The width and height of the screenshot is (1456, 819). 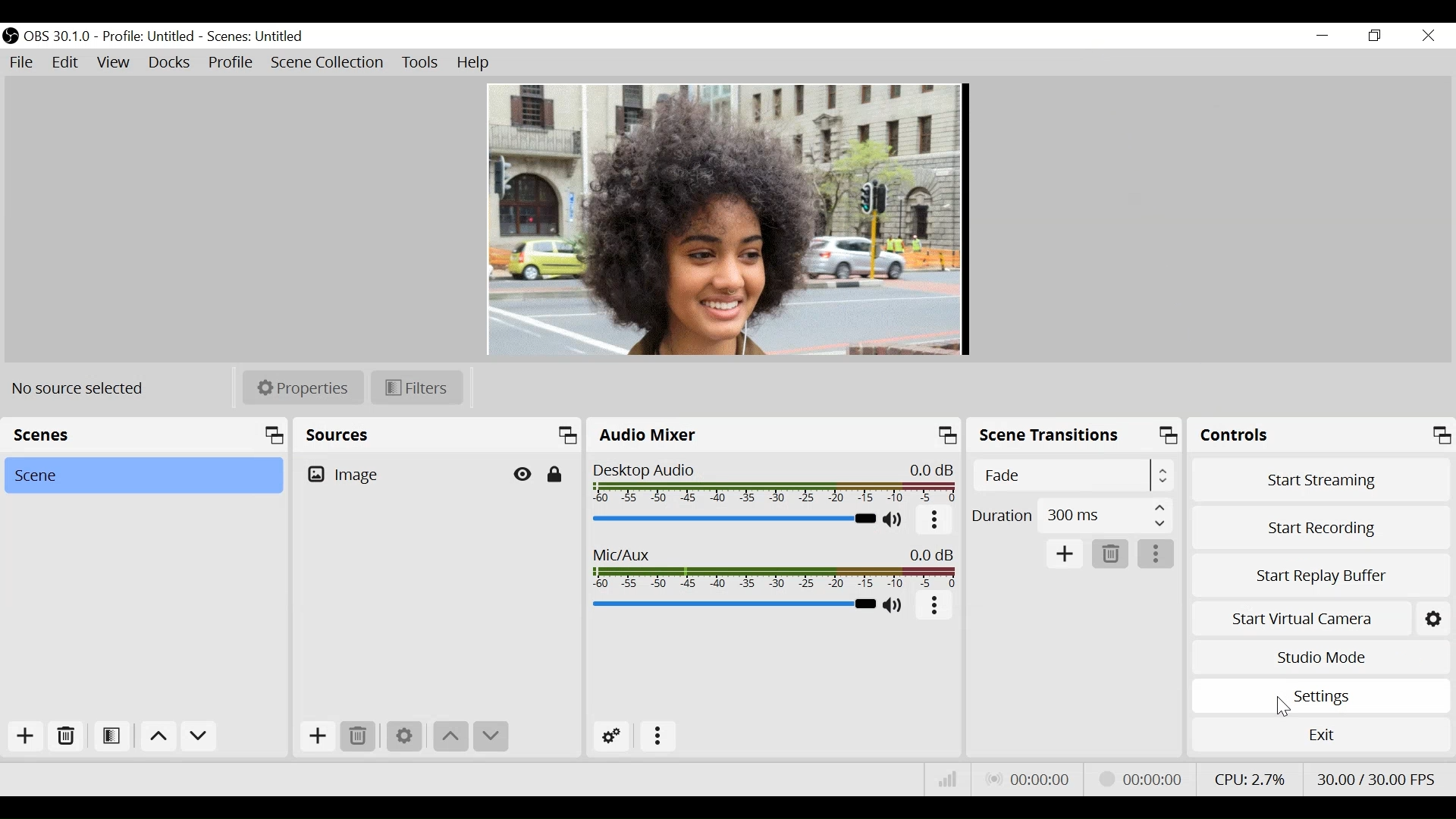 I want to click on More options, so click(x=657, y=737).